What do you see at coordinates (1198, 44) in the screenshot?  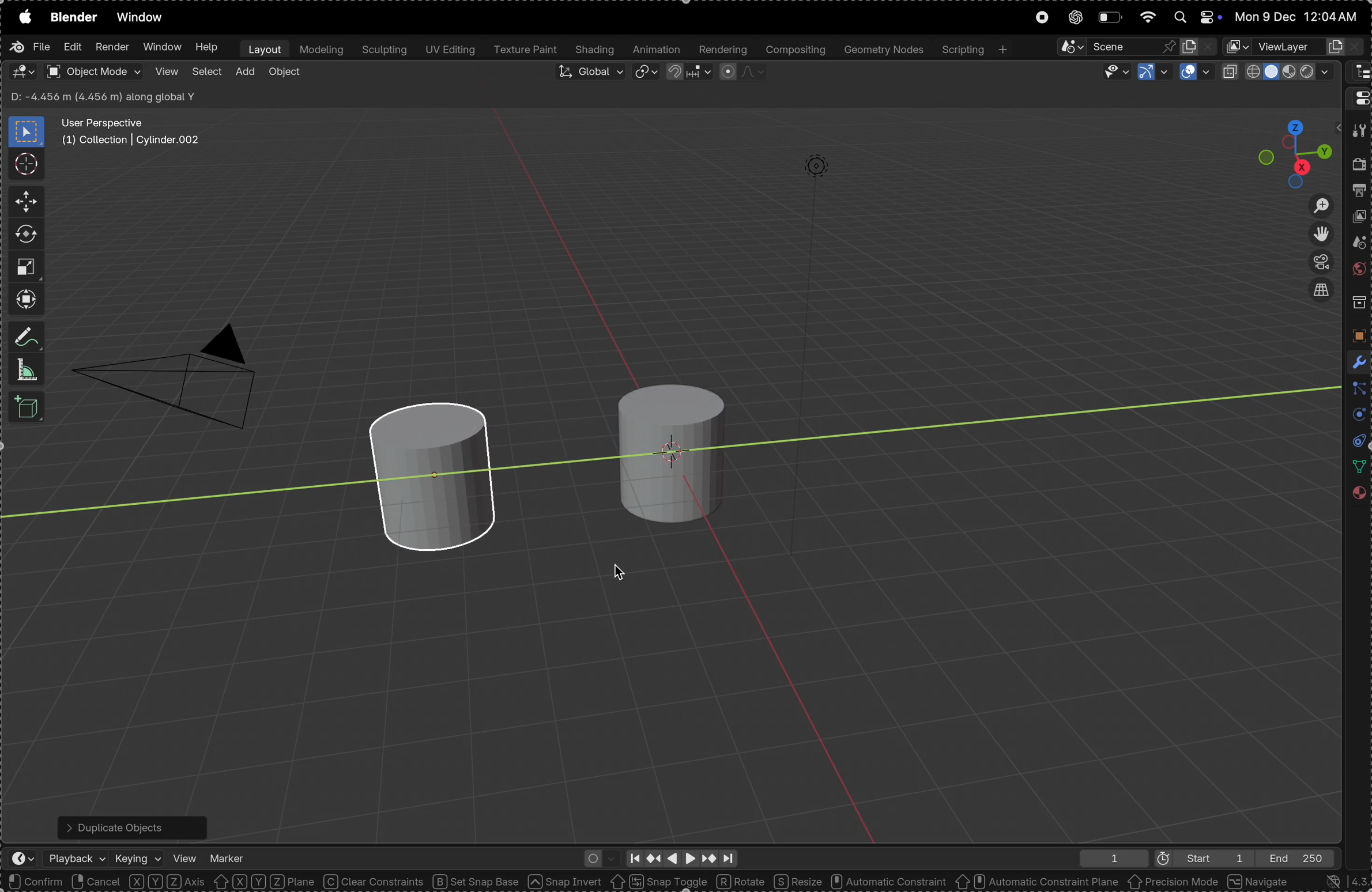 I see `new scene` at bounding box center [1198, 44].